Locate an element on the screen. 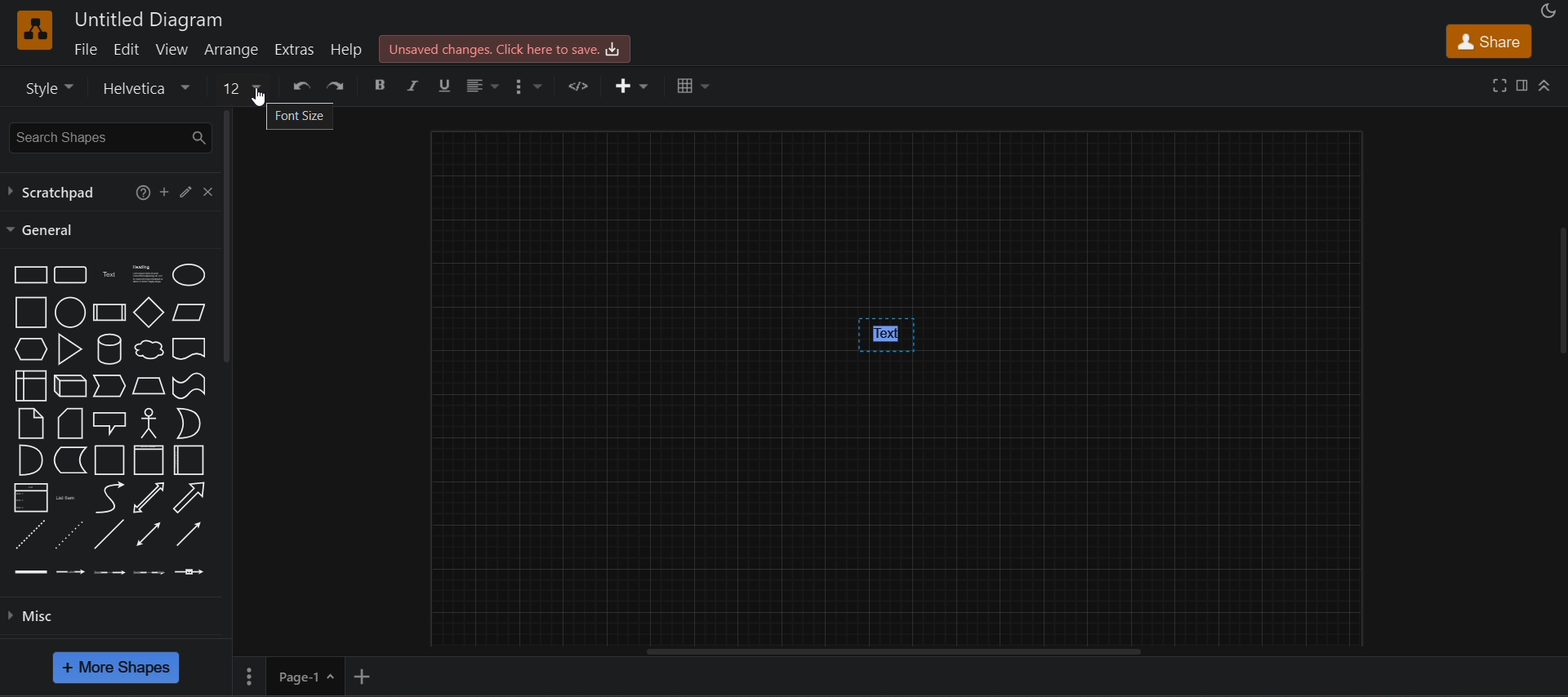 The width and height of the screenshot is (1568, 697). edit is located at coordinates (126, 49).